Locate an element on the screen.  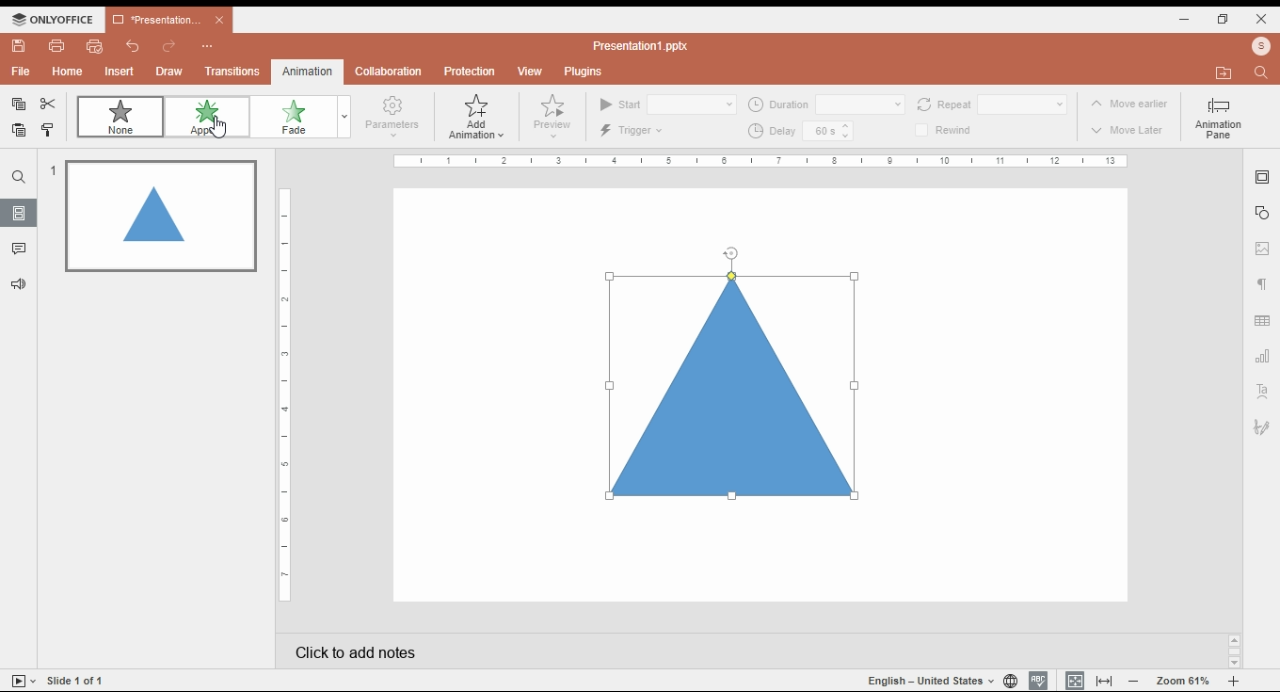
move later is located at coordinates (1126, 130).